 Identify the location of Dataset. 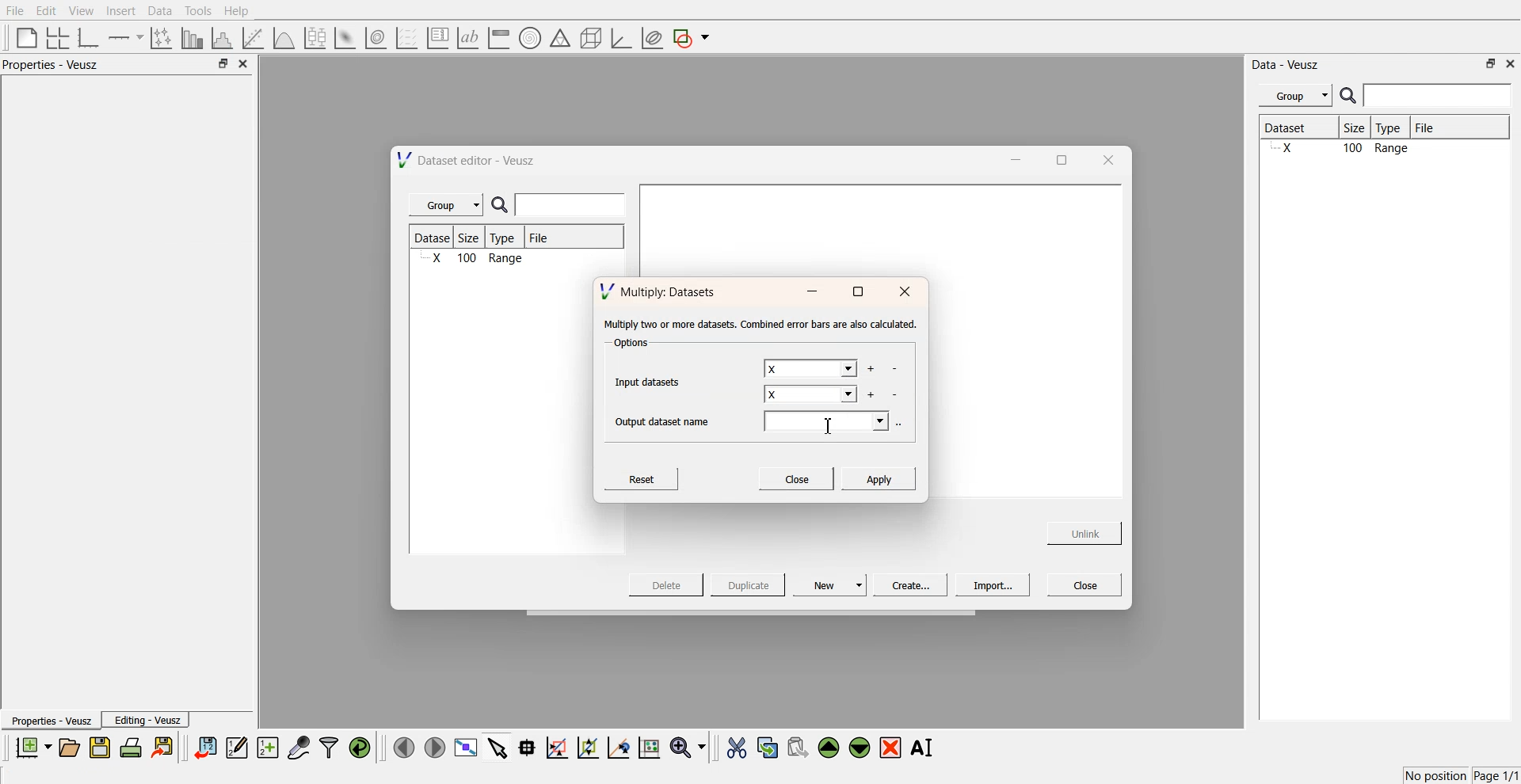
(1298, 129).